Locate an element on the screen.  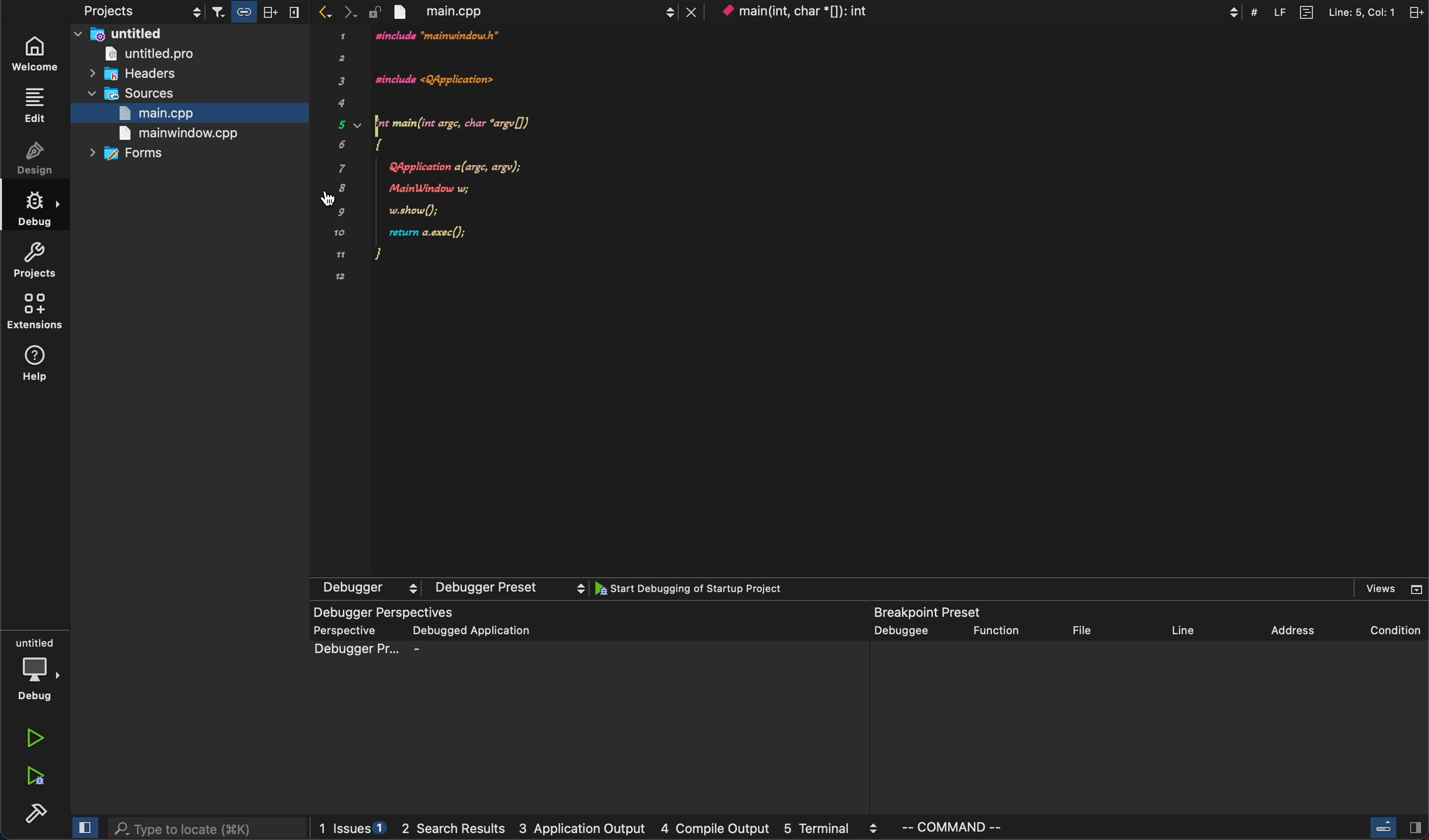
breakpoint present is located at coordinates (1144, 707).